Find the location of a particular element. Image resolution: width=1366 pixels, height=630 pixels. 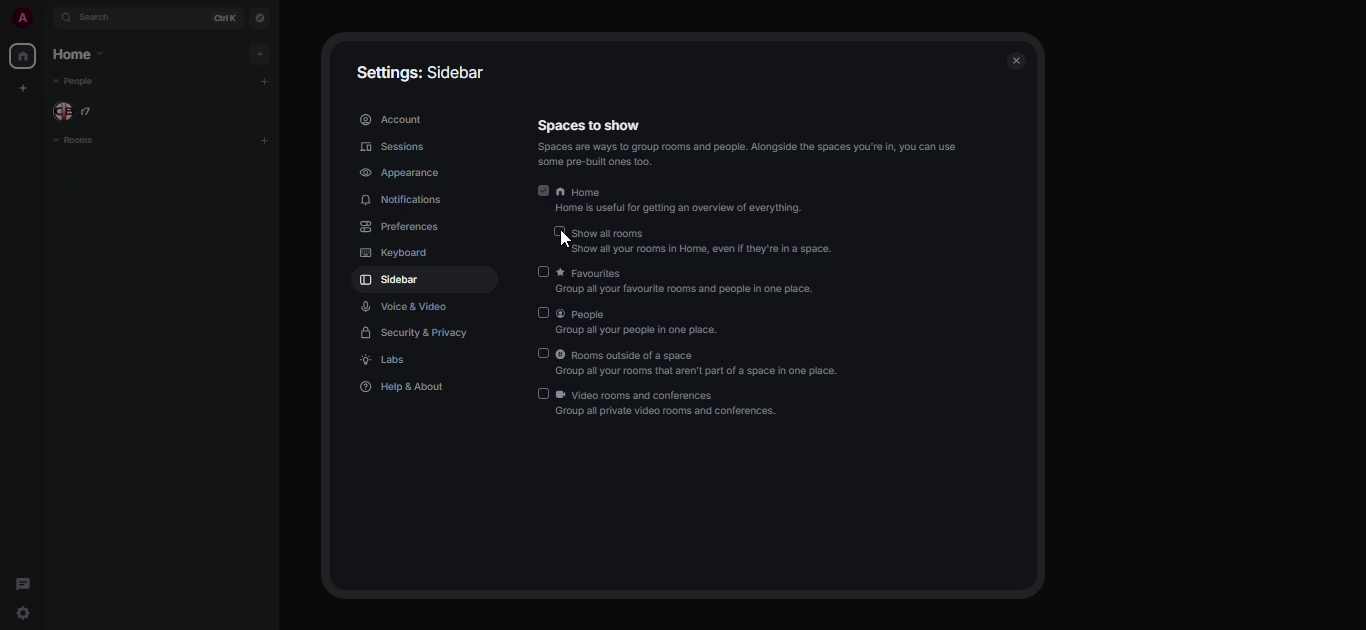

disabled is located at coordinates (544, 393).